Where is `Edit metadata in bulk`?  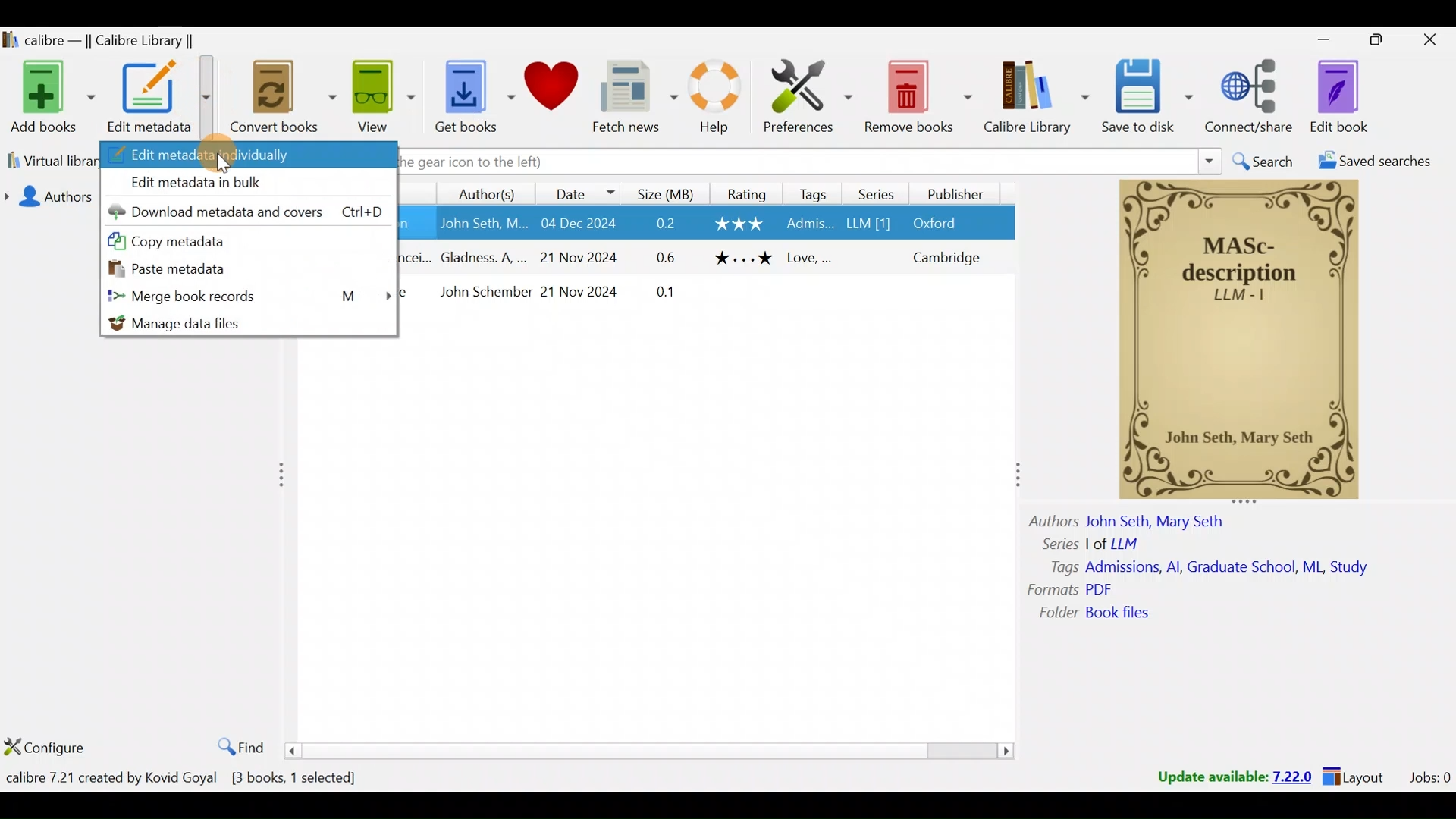
Edit metadata in bulk is located at coordinates (249, 184).